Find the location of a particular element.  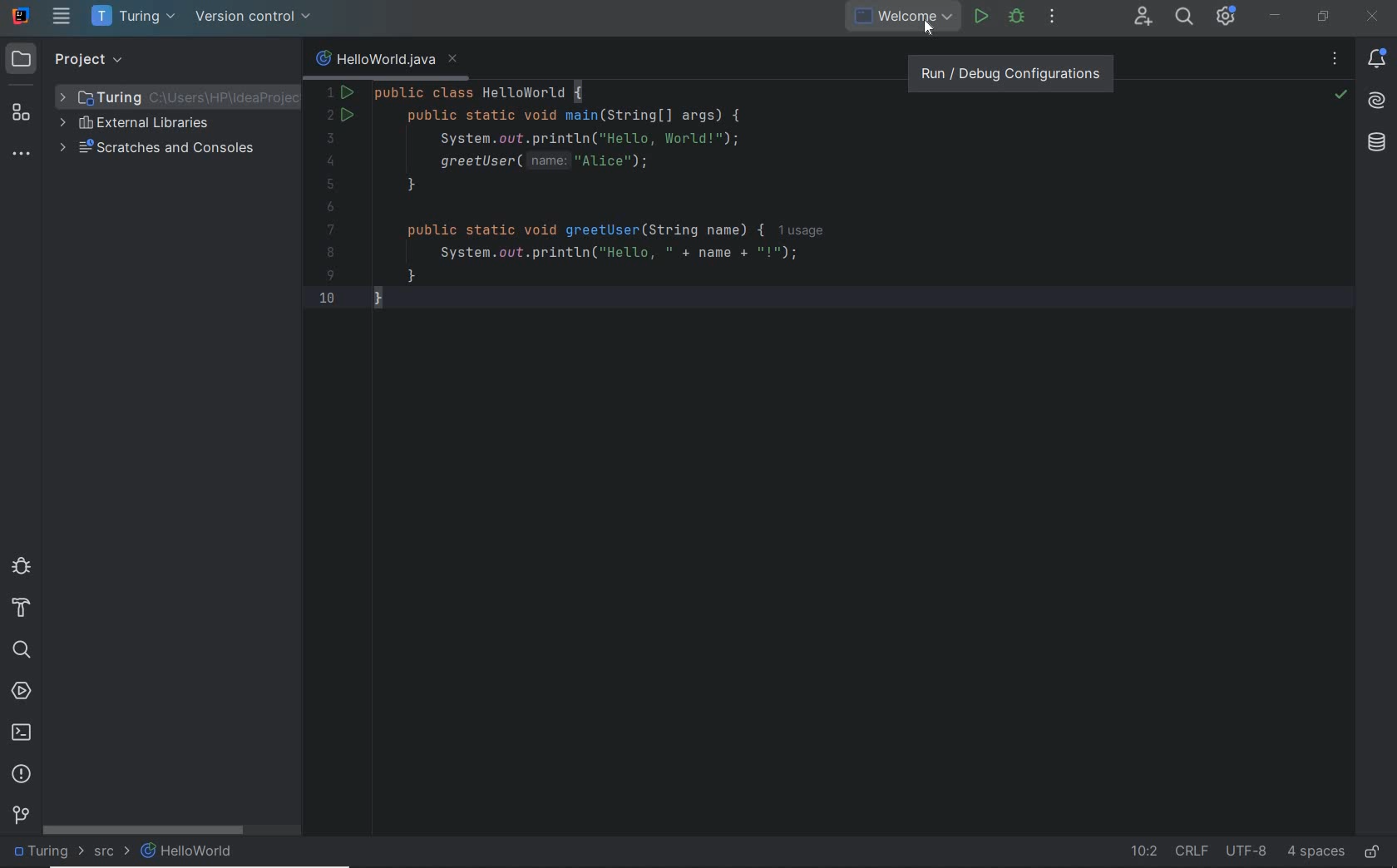

codes is located at coordinates (716, 198).